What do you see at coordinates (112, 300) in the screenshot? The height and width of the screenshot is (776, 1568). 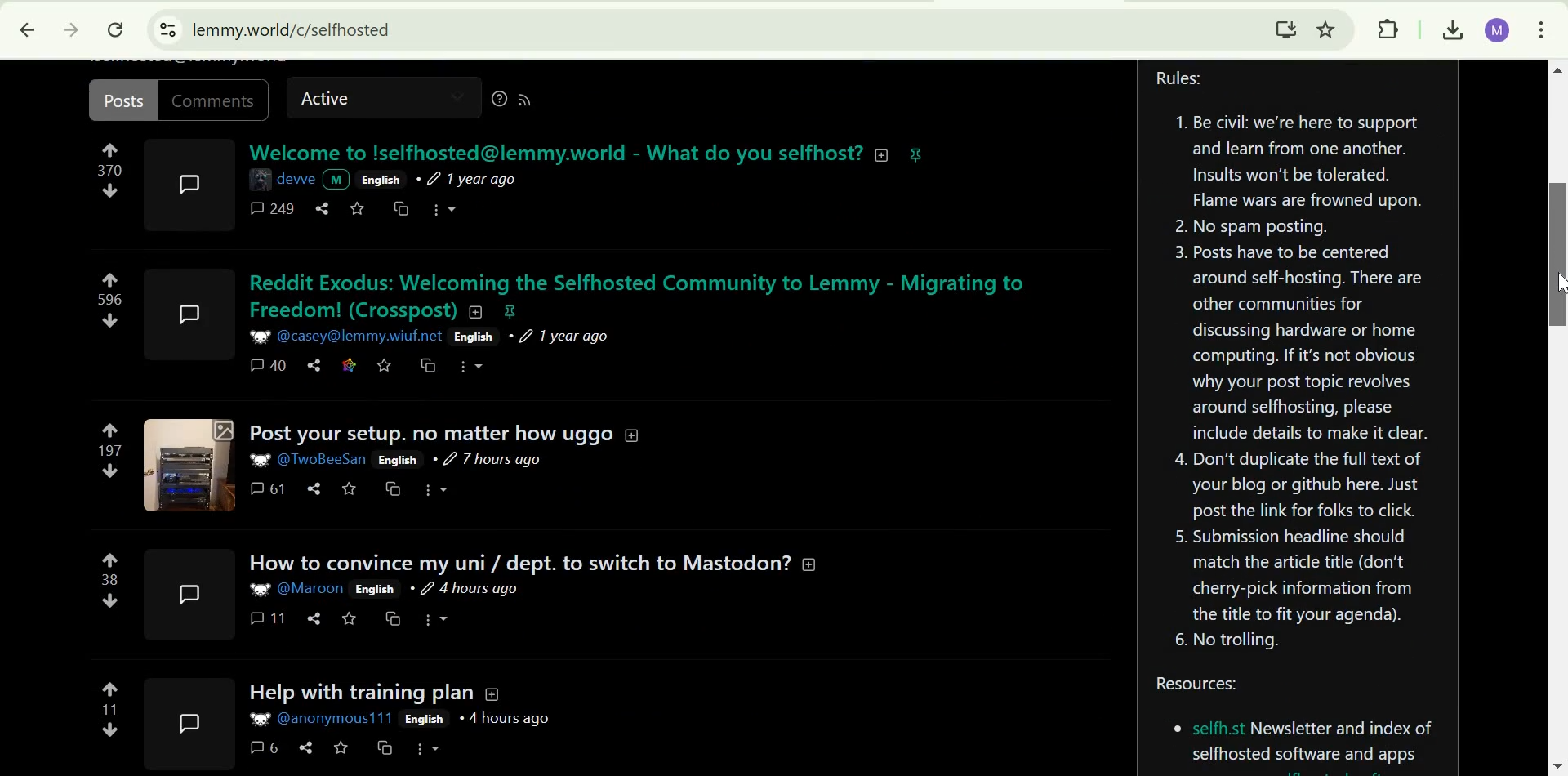 I see `596 points` at bounding box center [112, 300].